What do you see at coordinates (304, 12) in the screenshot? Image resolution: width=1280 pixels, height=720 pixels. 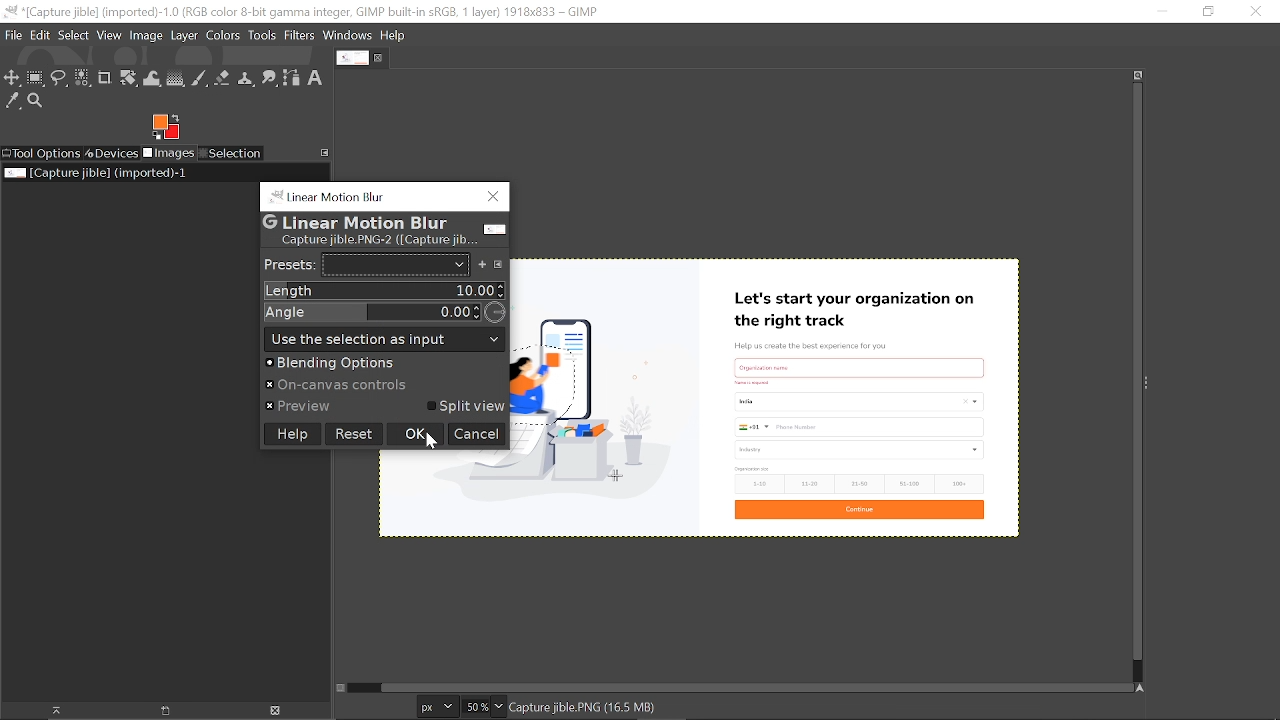 I see `Current window` at bounding box center [304, 12].